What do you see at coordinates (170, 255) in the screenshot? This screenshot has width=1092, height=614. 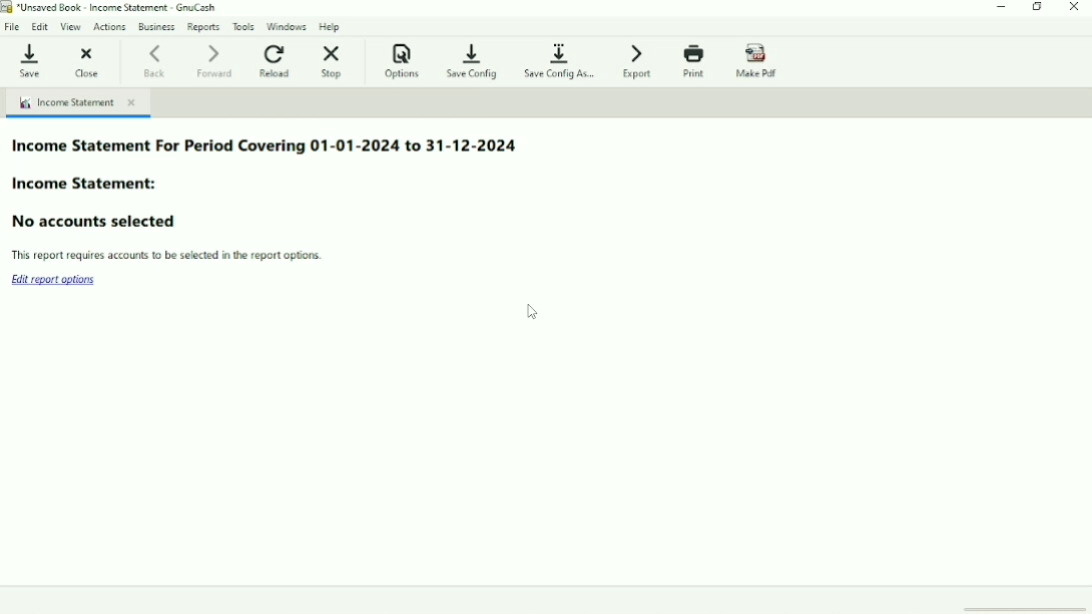 I see `This report requires accounts to be selected in the report options.` at bounding box center [170, 255].